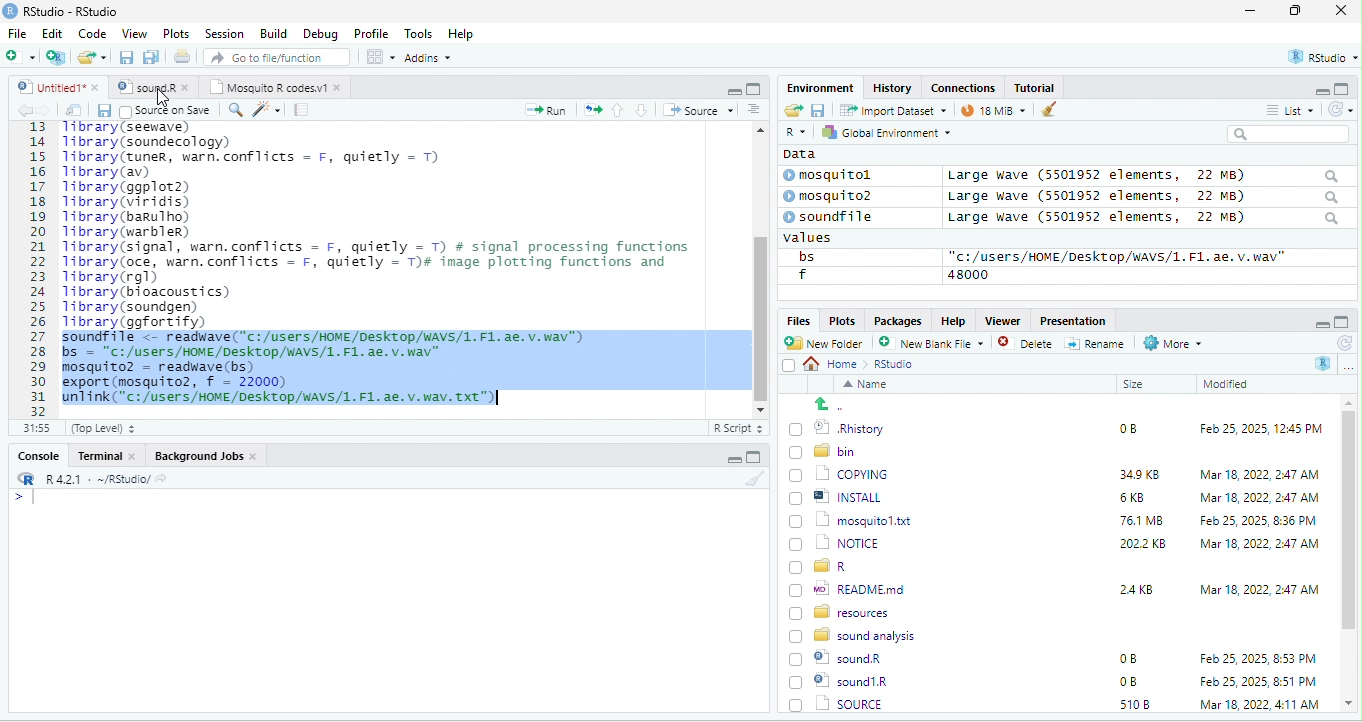 This screenshot has height=722, width=1362. Describe the element at coordinates (274, 33) in the screenshot. I see `Build` at that location.